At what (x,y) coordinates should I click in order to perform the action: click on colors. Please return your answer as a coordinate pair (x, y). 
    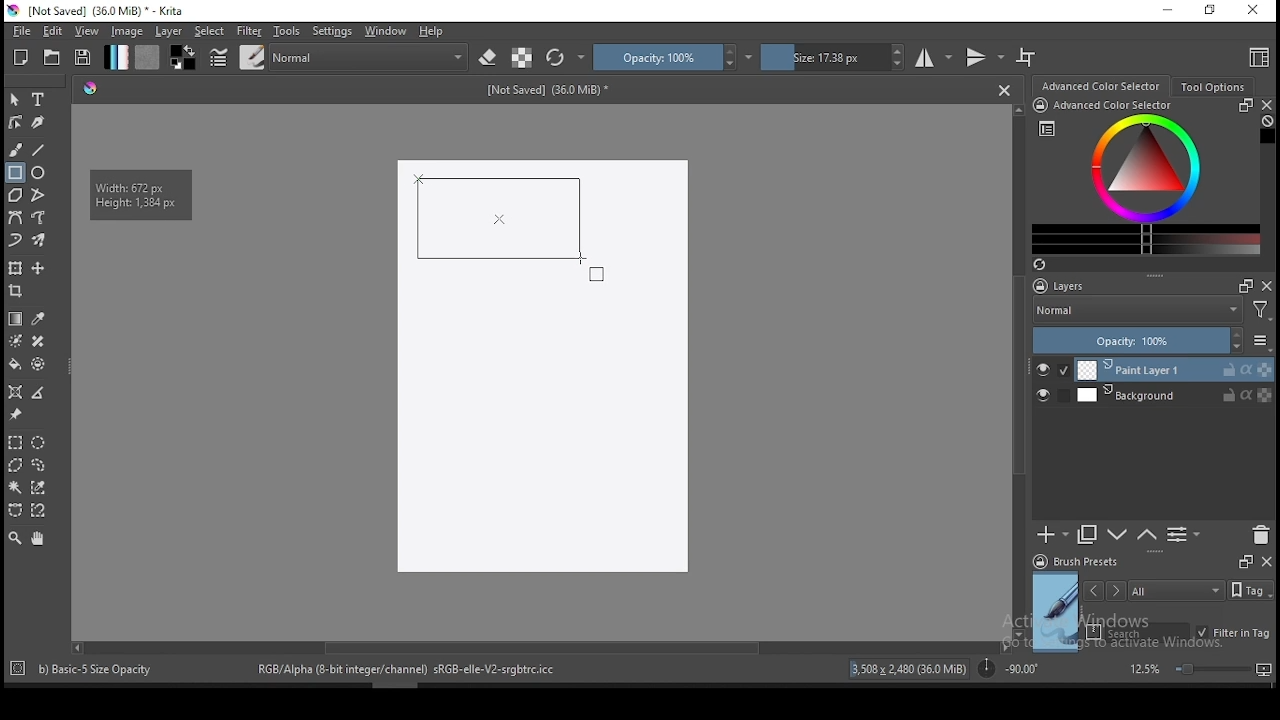
    Looking at the image, I should click on (183, 57).